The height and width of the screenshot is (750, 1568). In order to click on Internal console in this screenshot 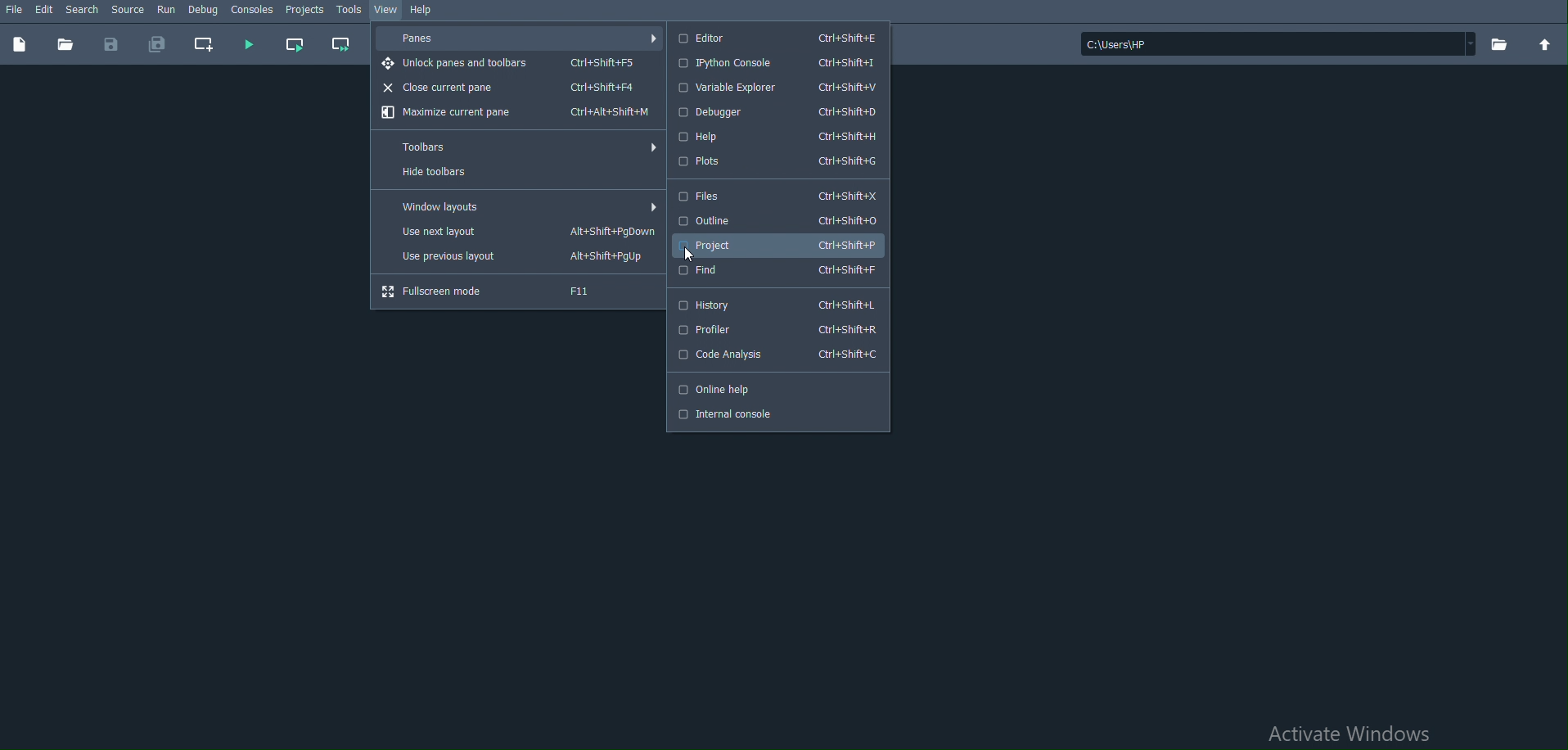, I will do `click(776, 417)`.